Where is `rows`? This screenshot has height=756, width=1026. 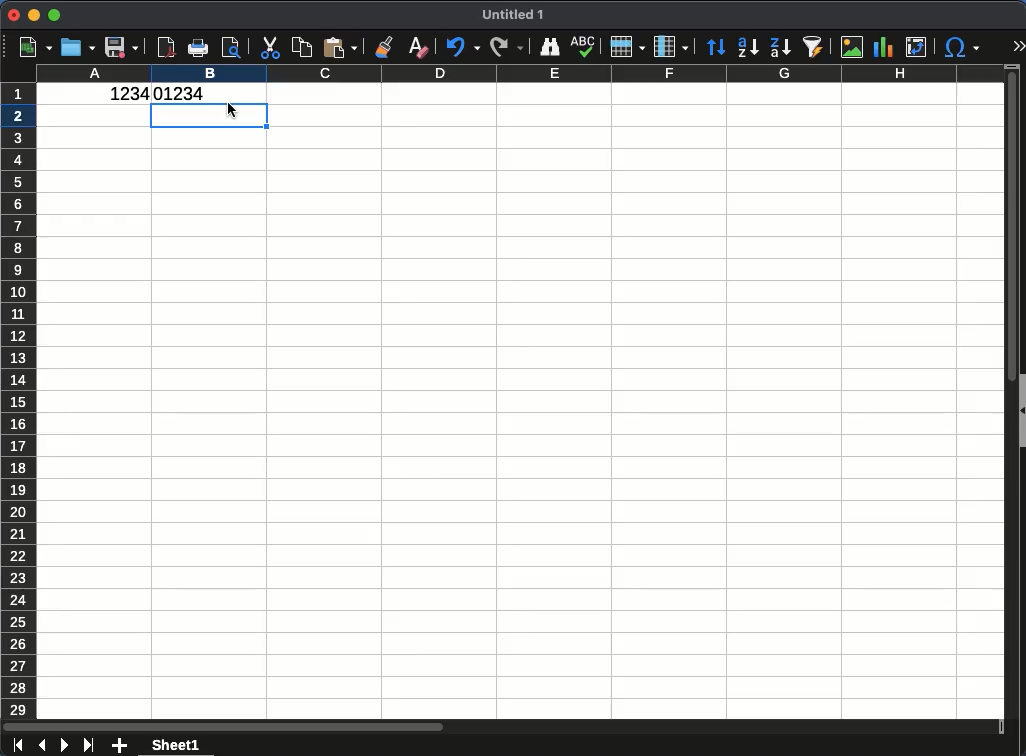
rows is located at coordinates (21, 400).